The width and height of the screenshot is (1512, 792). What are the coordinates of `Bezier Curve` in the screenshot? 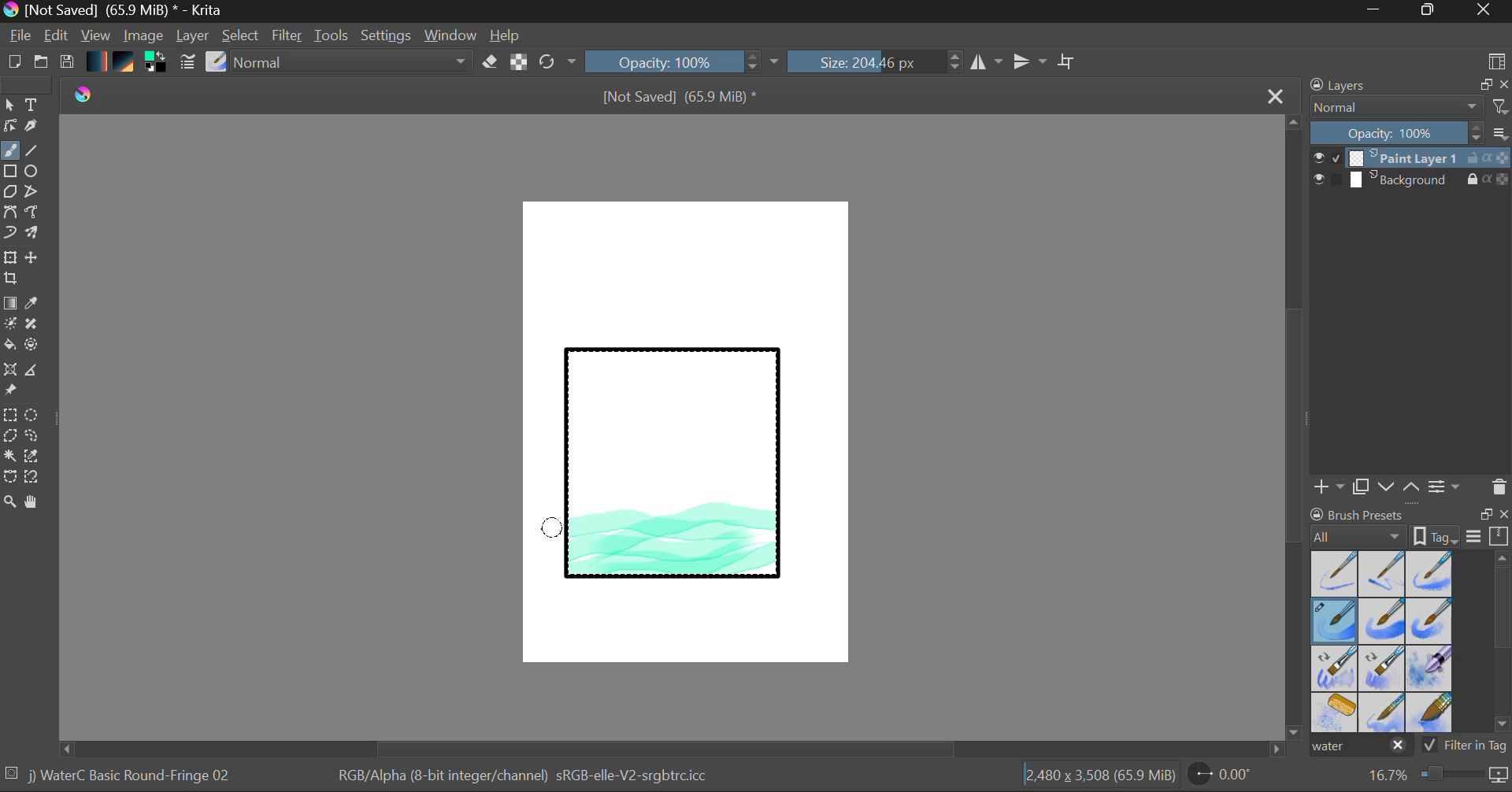 It's located at (9, 213).